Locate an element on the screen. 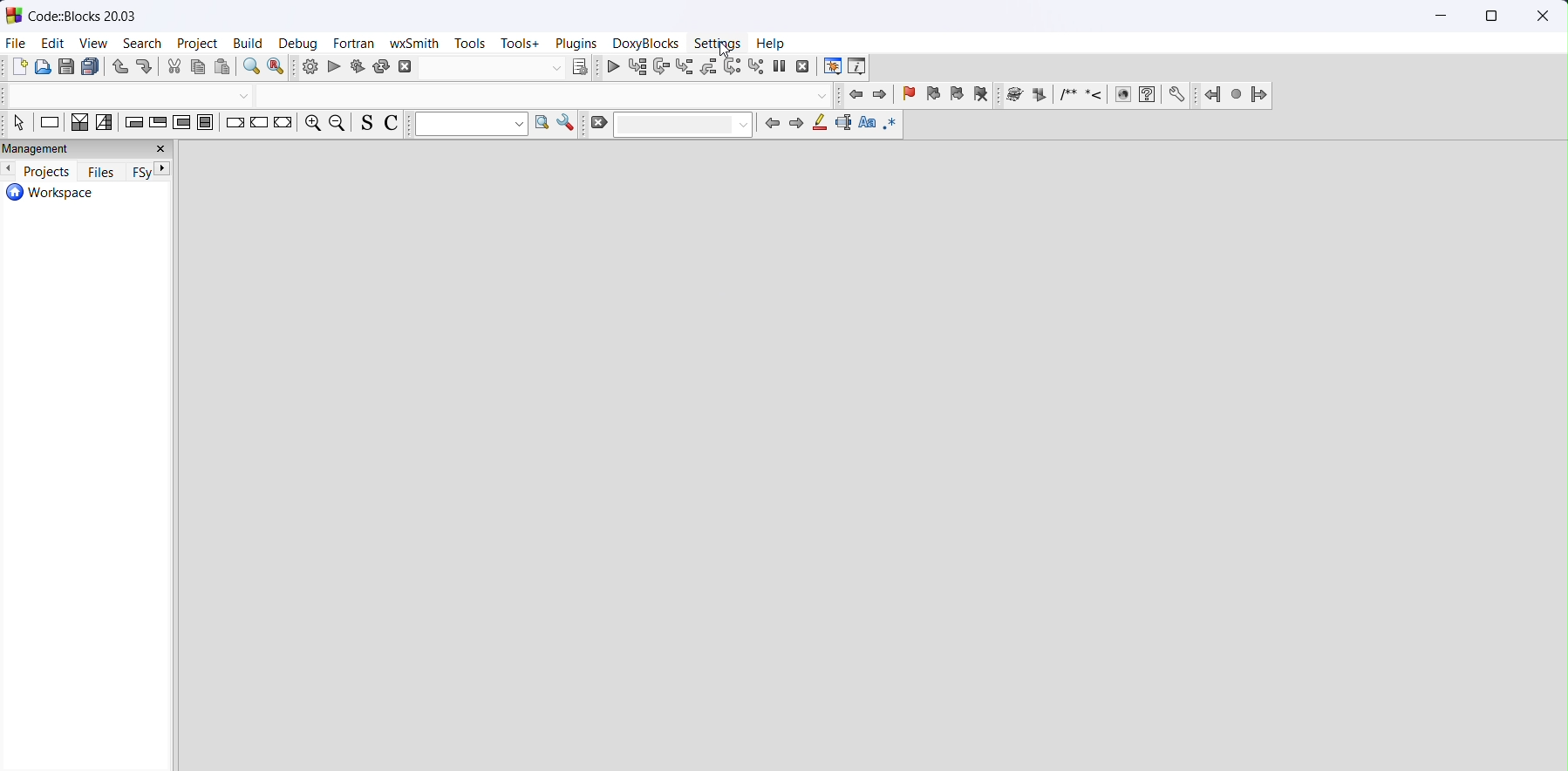 The width and height of the screenshot is (1568, 771). docxy blocks is located at coordinates (1095, 96).